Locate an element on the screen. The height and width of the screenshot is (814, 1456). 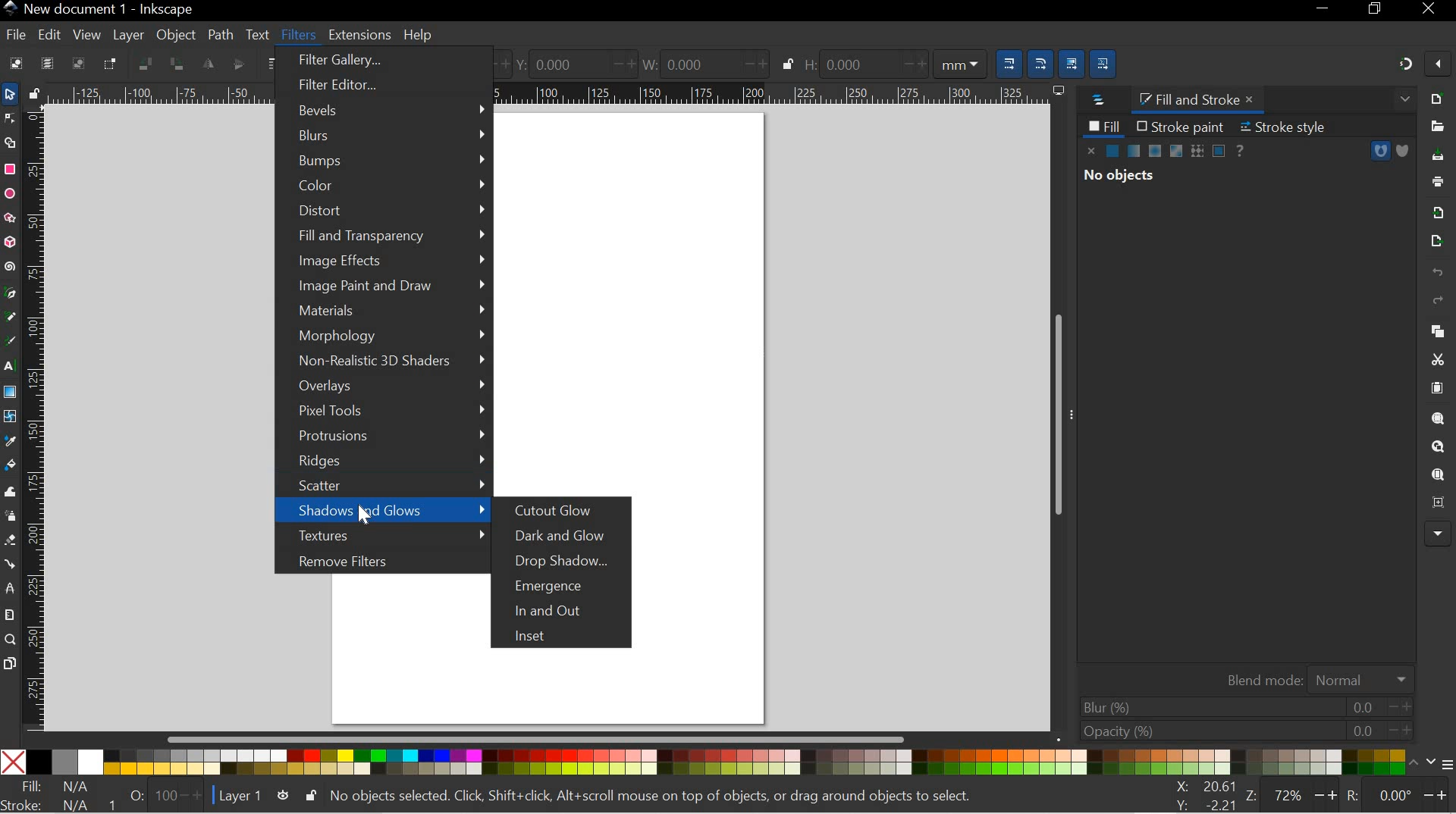
BEVELS is located at coordinates (384, 109).